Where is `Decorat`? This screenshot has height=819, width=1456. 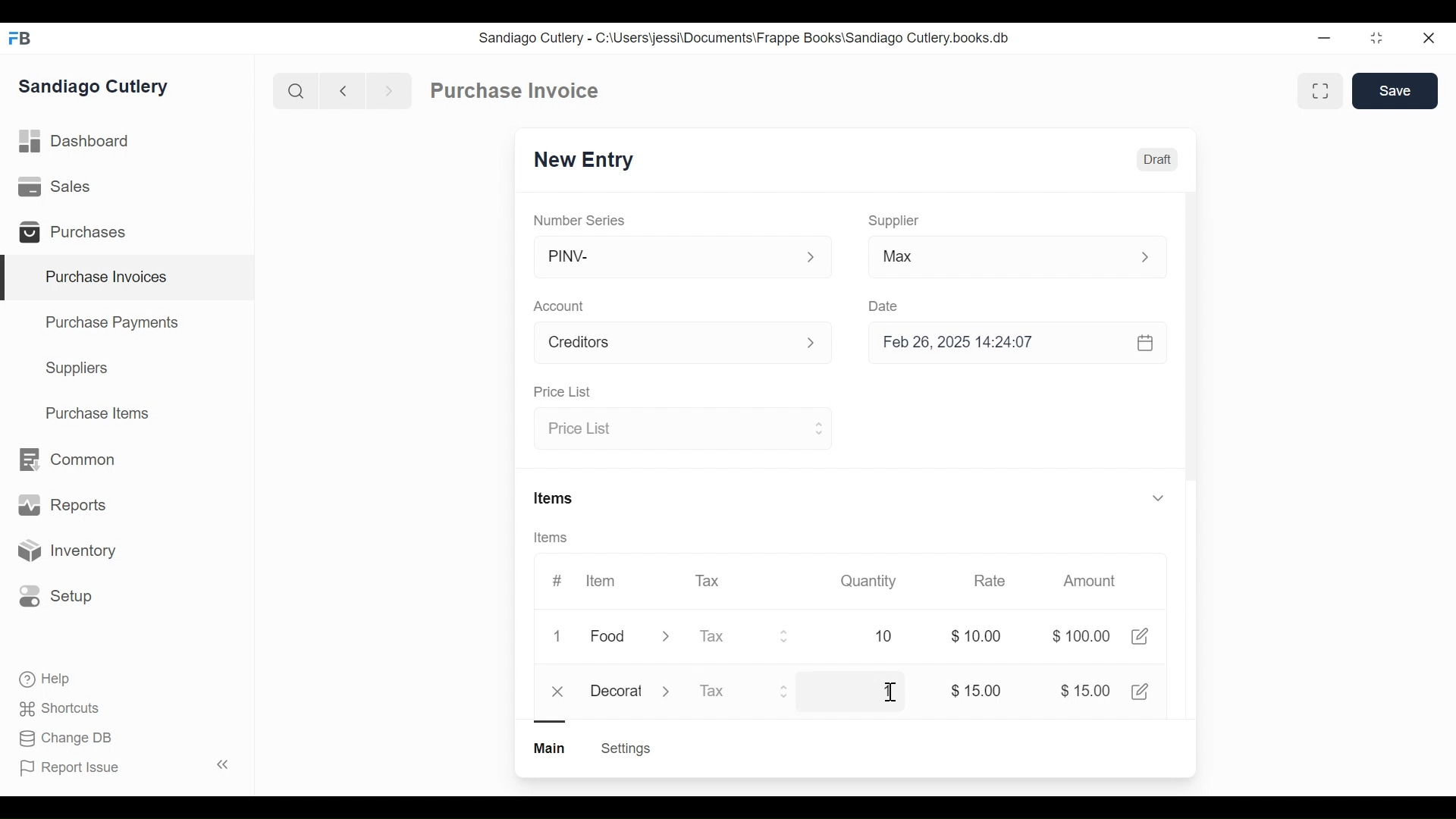
Decorat is located at coordinates (617, 689).